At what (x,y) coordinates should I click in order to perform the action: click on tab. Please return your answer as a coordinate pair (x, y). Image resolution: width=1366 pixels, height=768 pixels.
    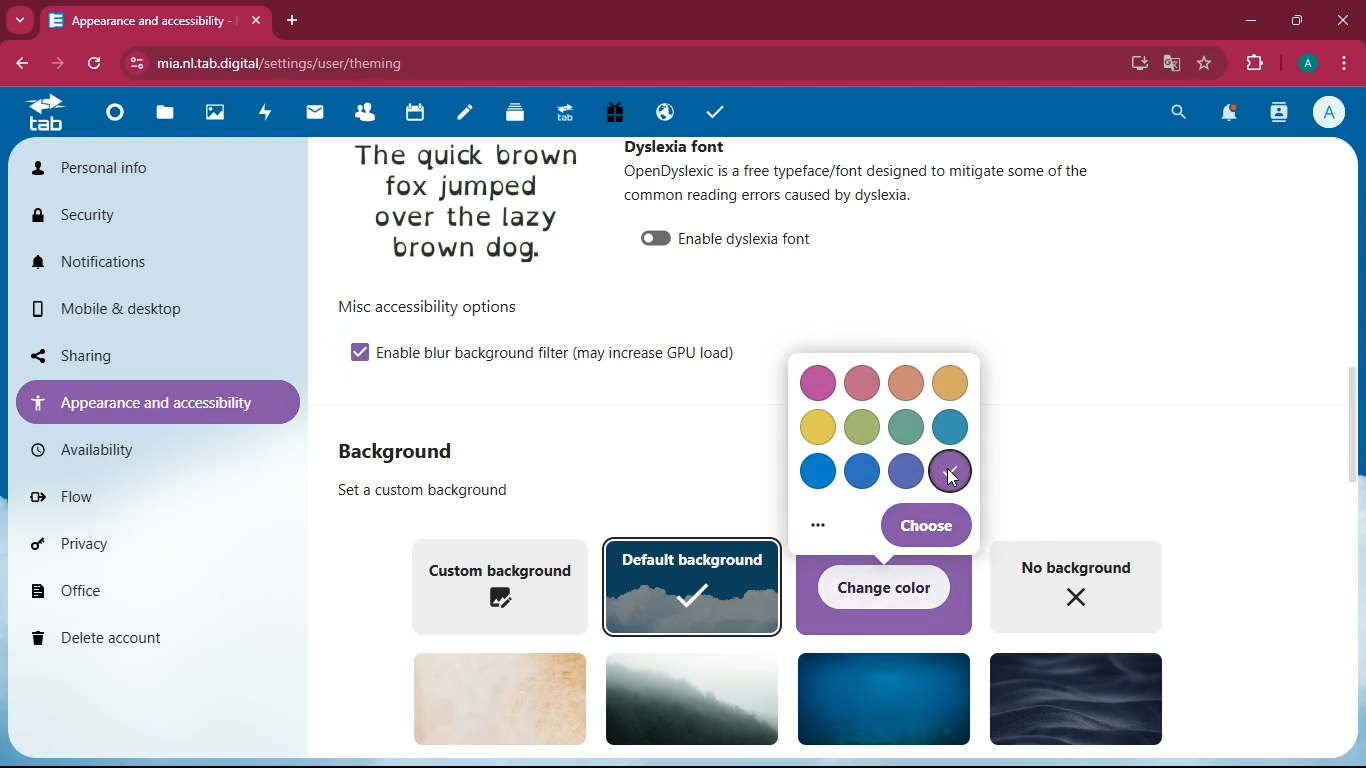
    Looking at the image, I should click on (563, 113).